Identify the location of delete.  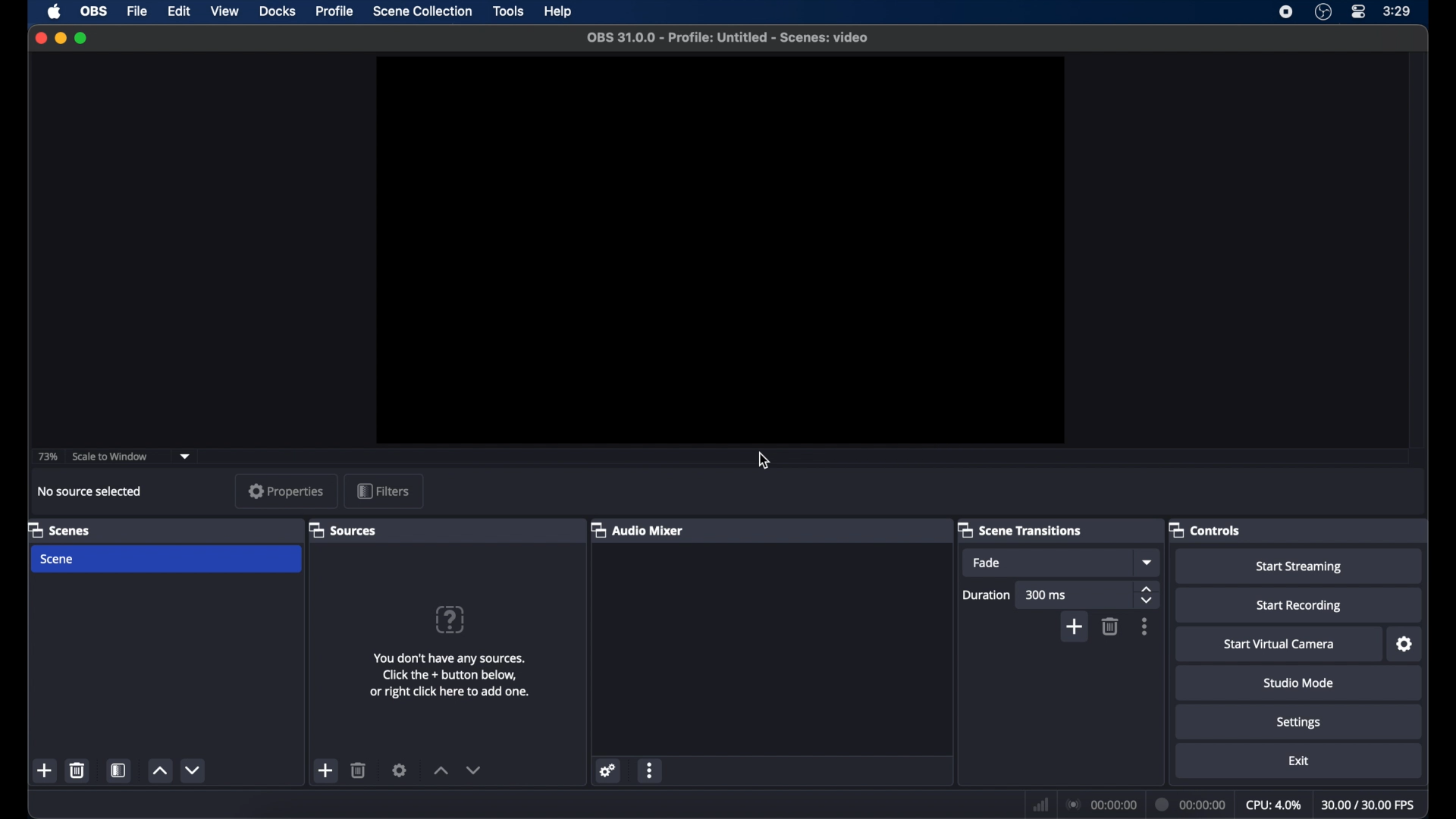
(359, 770).